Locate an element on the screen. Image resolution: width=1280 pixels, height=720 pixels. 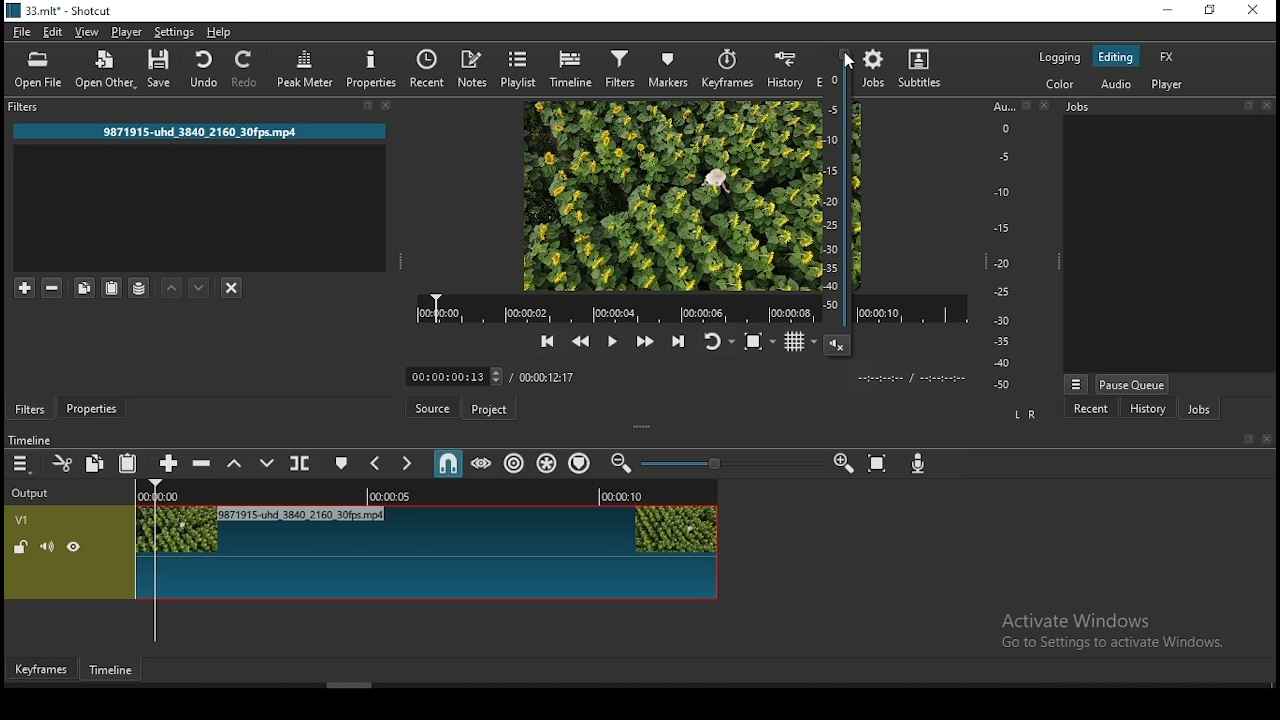
view is located at coordinates (87, 31).